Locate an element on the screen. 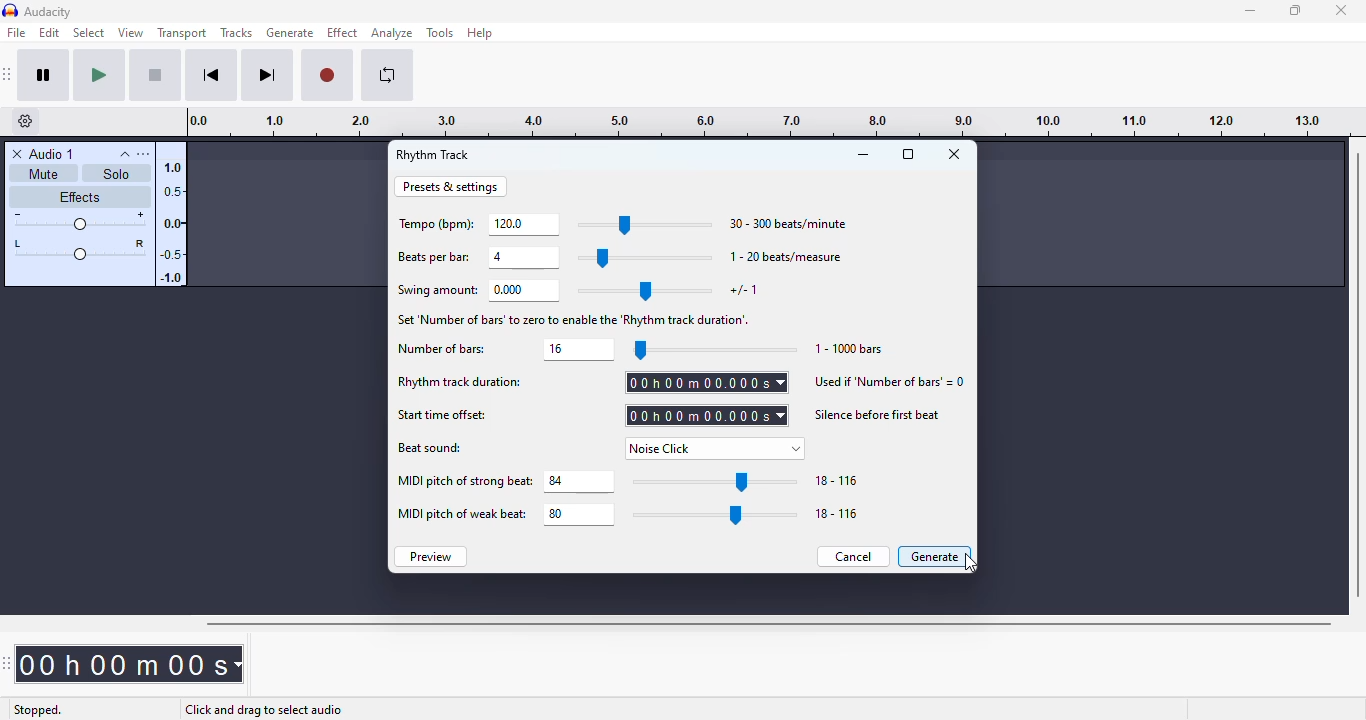 Image resolution: width=1366 pixels, height=720 pixels. silence before first beat is located at coordinates (879, 413).